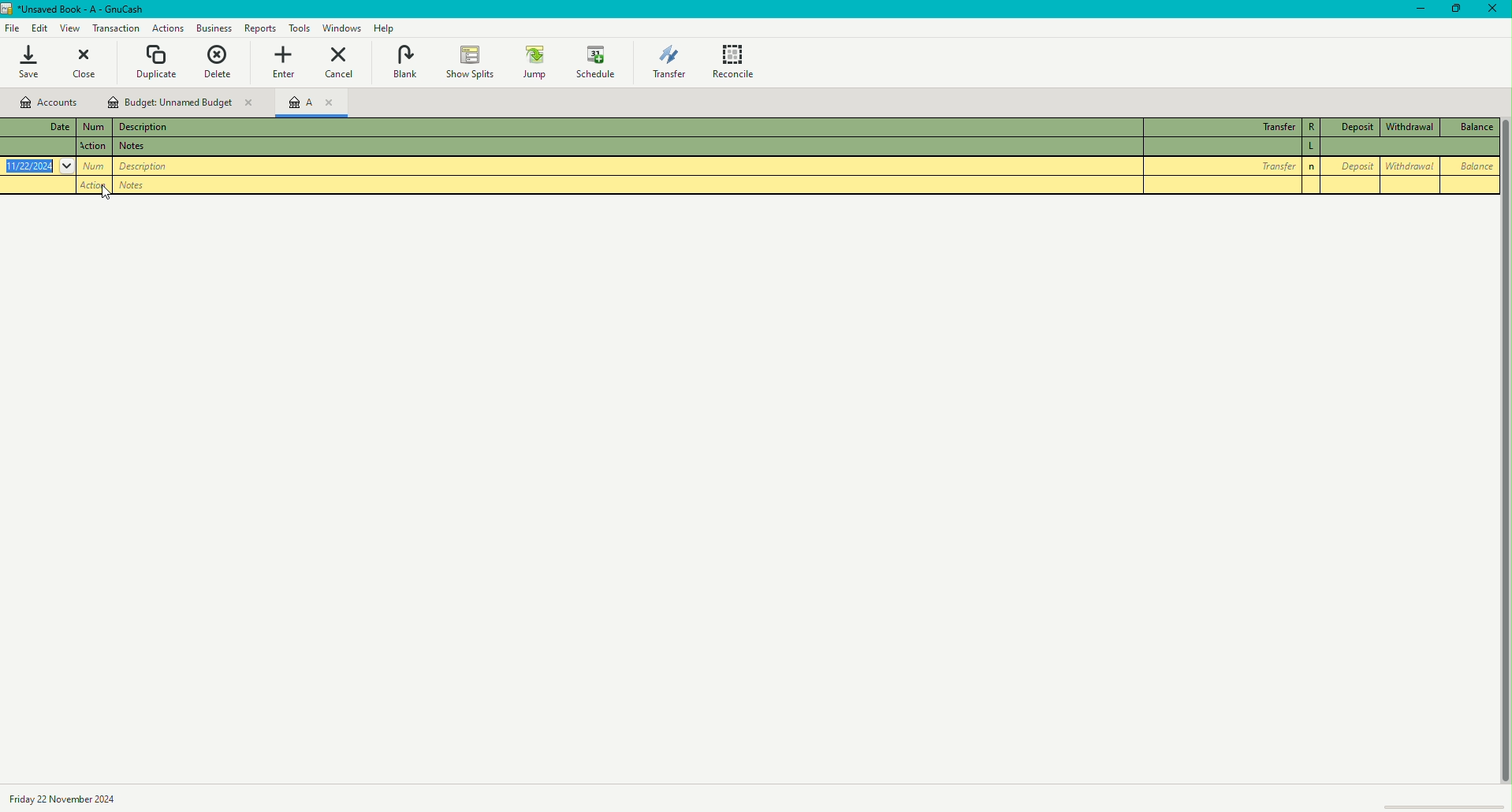 Image resolution: width=1512 pixels, height=812 pixels. Describe the element at coordinates (600, 63) in the screenshot. I see `Schedule` at that location.